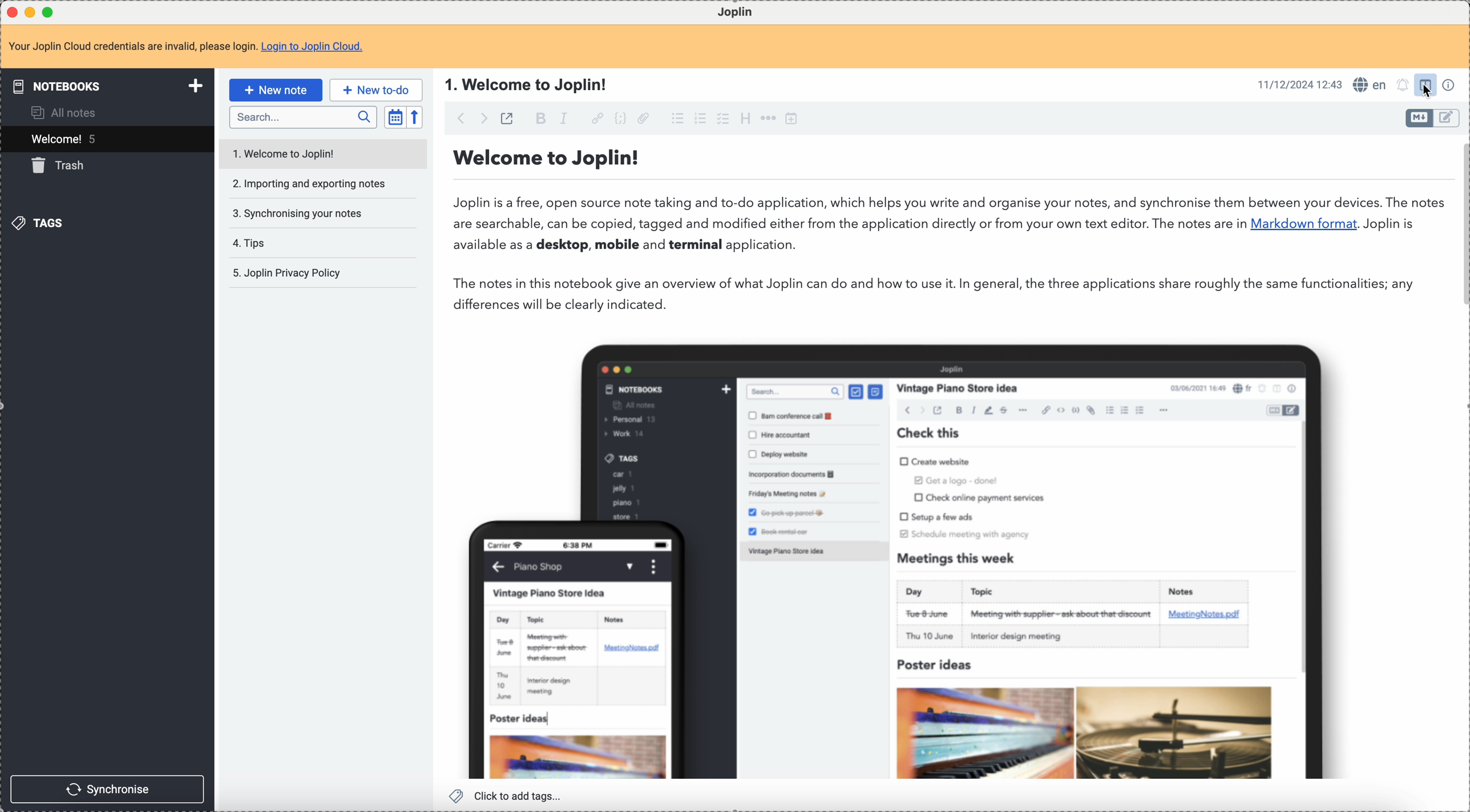 The width and height of the screenshot is (1470, 812). Describe the element at coordinates (457, 119) in the screenshot. I see `back` at that location.